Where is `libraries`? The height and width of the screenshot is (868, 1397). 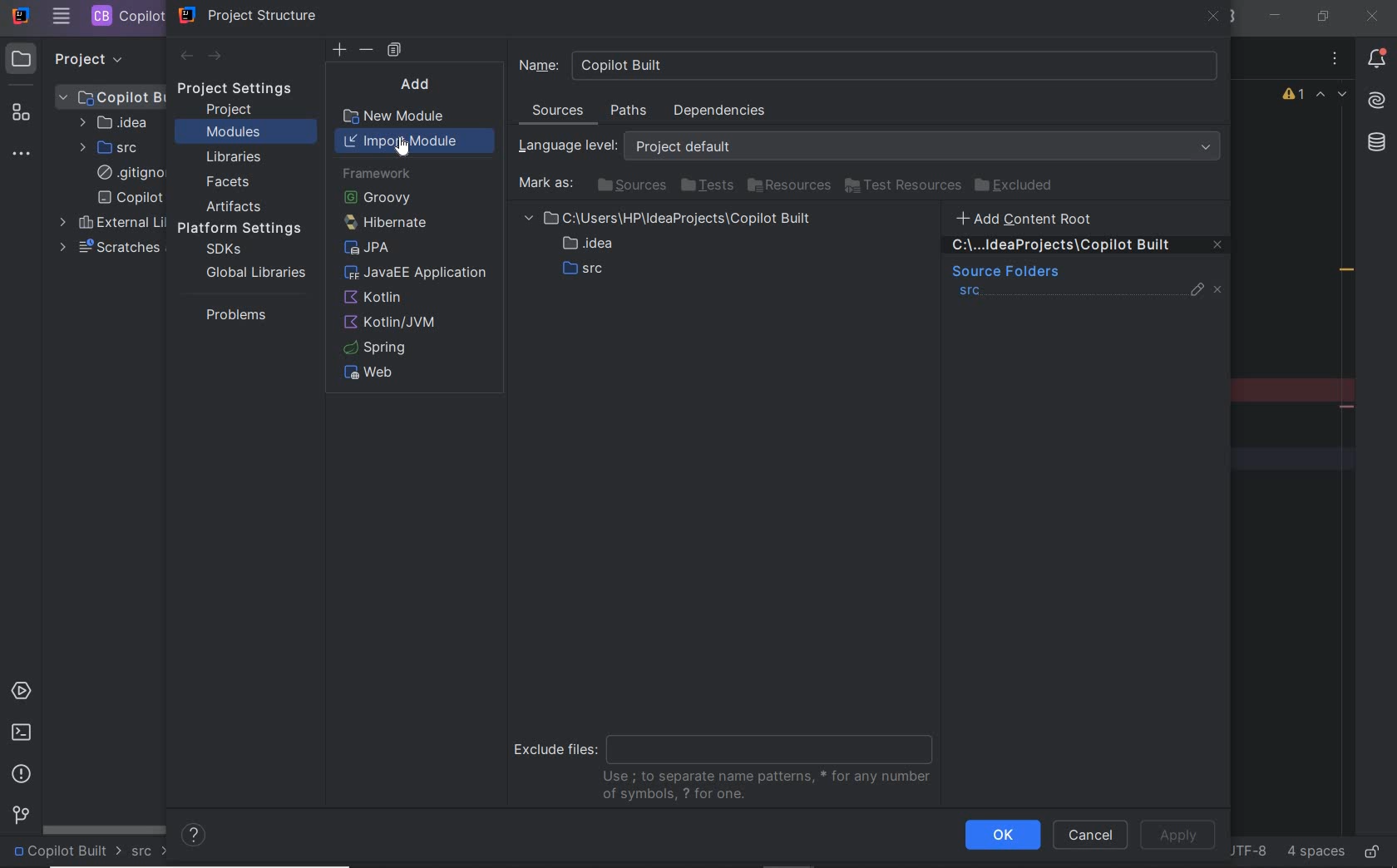
libraries is located at coordinates (234, 158).